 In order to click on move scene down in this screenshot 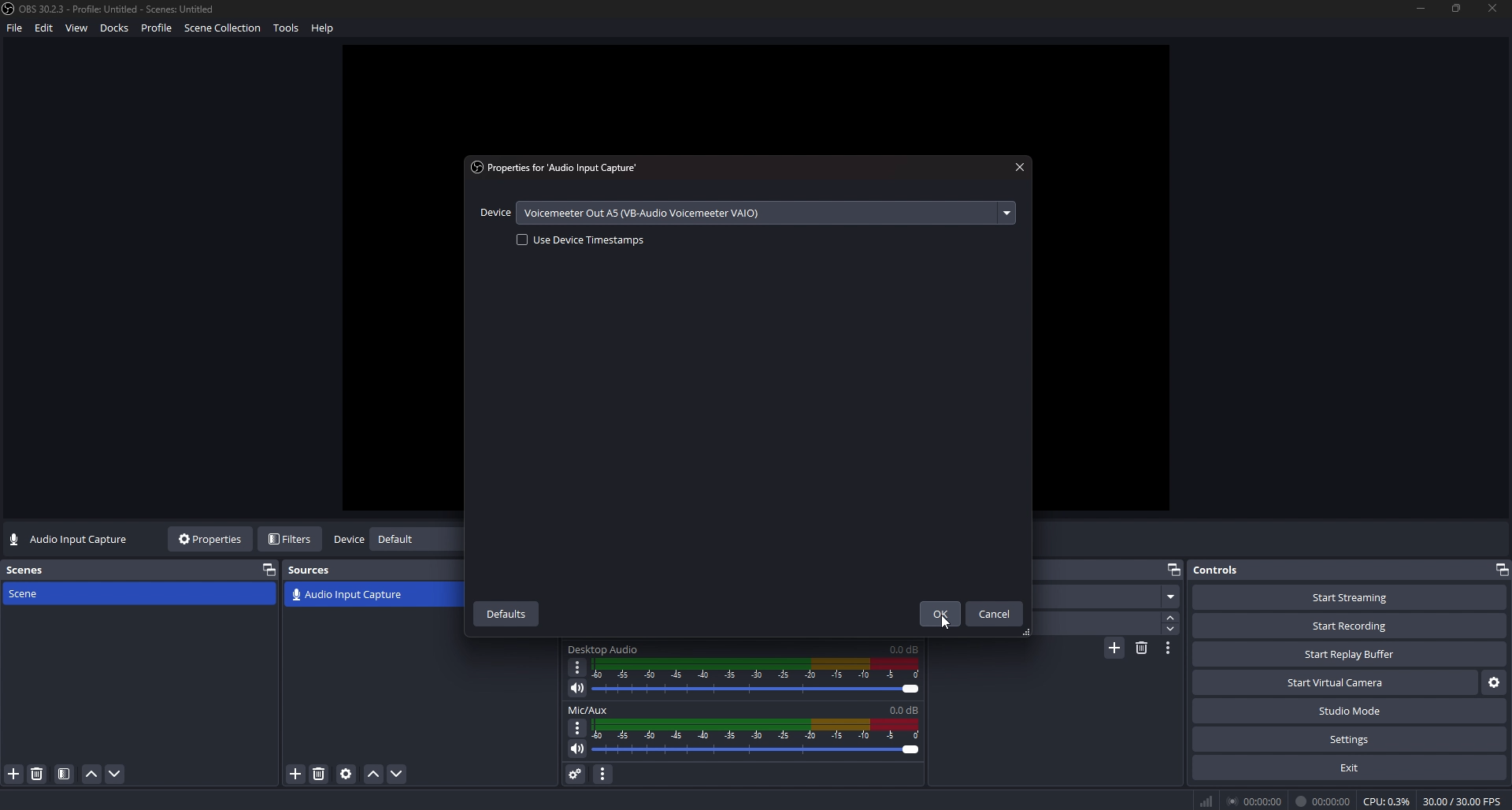, I will do `click(117, 774)`.